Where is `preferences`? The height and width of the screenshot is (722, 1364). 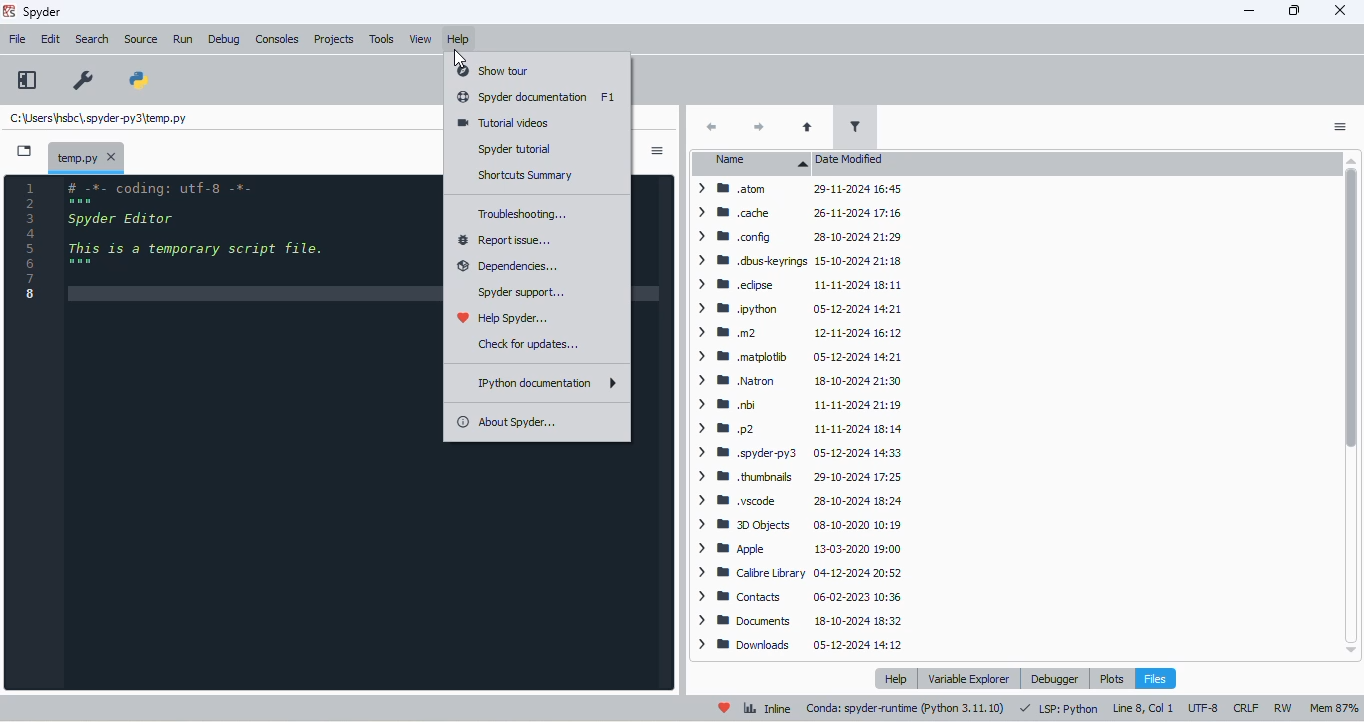
preferences is located at coordinates (84, 80).